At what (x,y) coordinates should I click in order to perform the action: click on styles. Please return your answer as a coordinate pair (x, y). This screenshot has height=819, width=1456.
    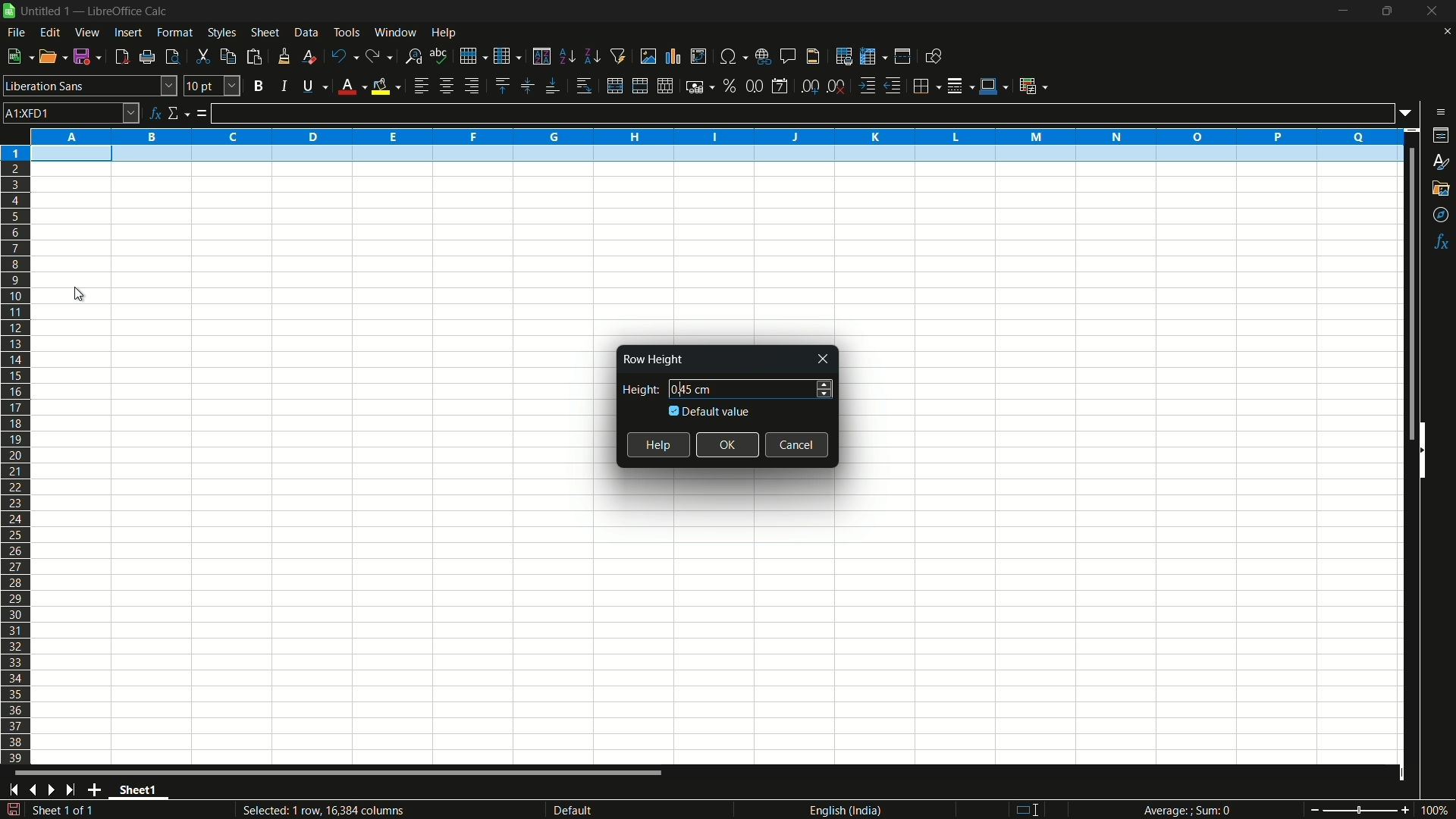
    Looking at the image, I should click on (1439, 163).